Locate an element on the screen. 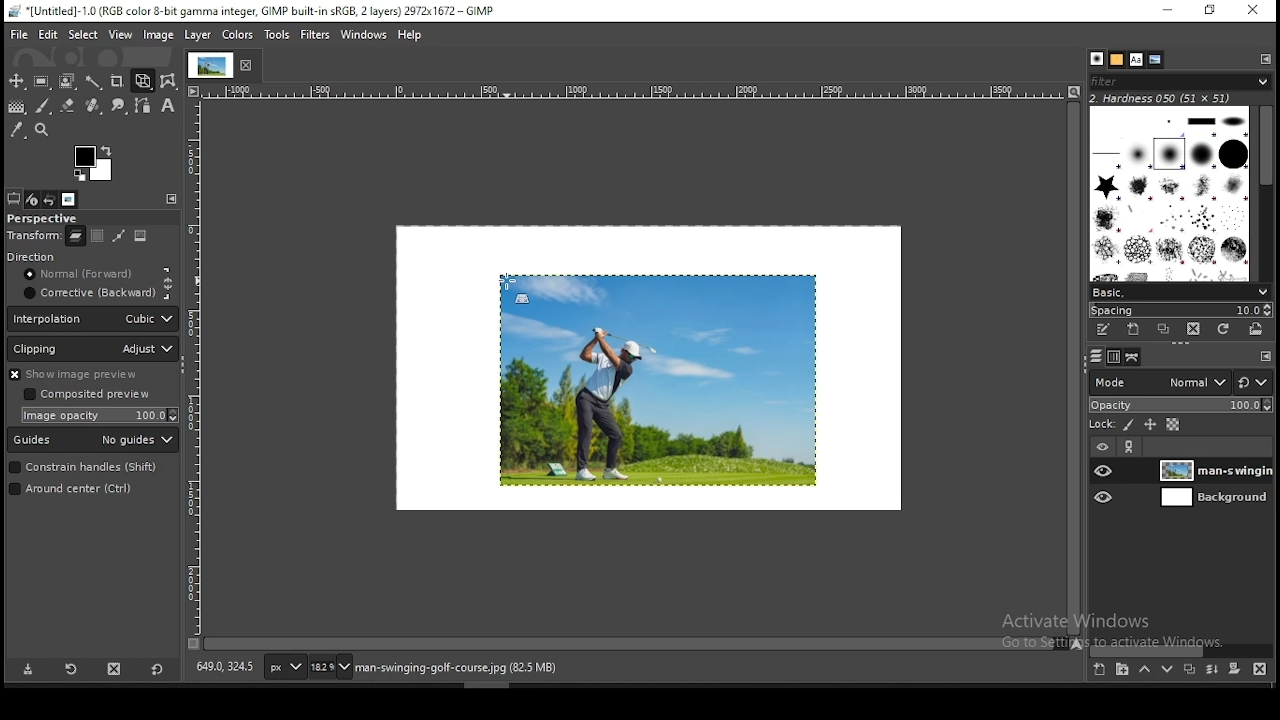 Image resolution: width=1280 pixels, height=720 pixels. scroll bar is located at coordinates (630, 646).